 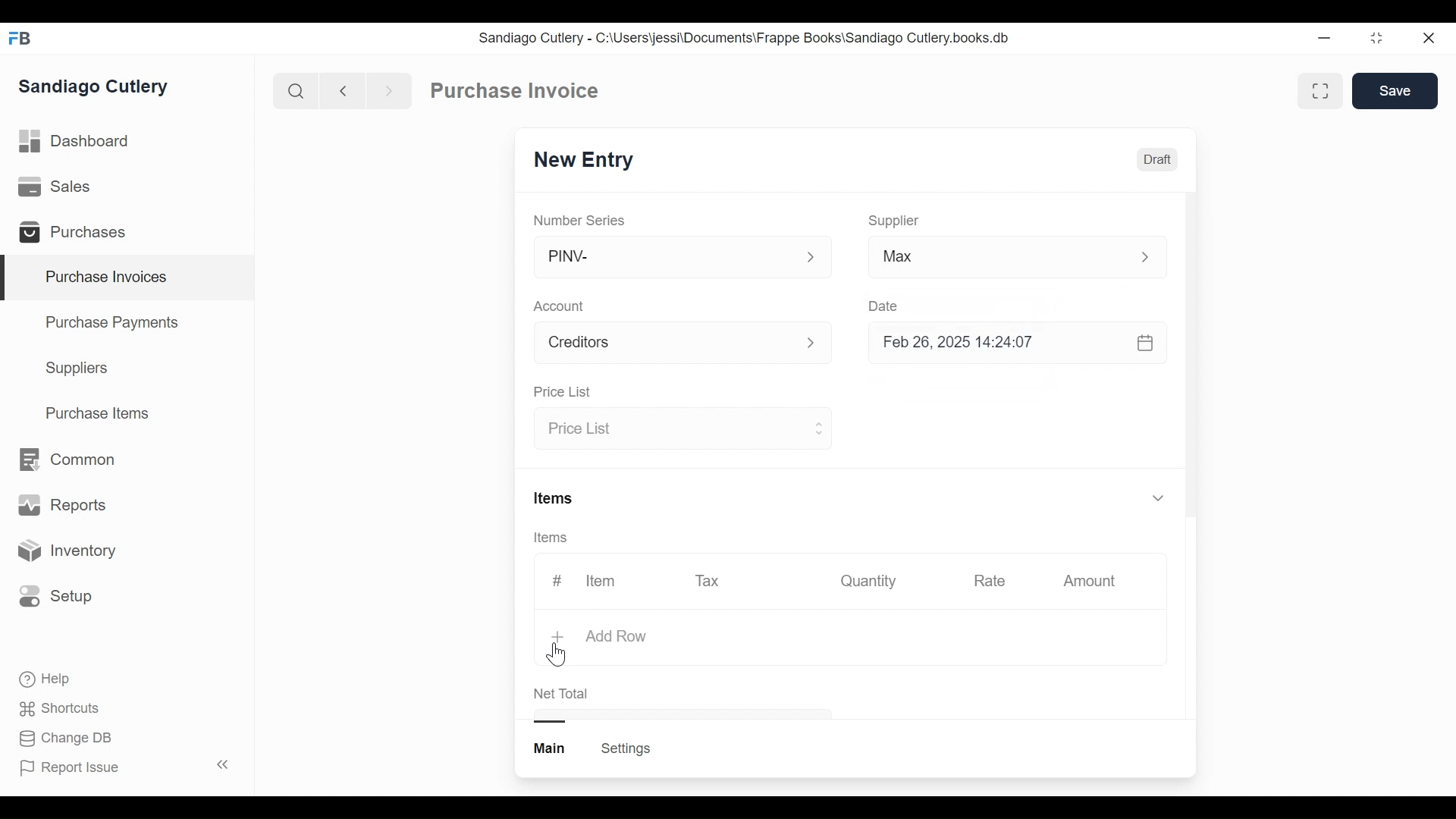 I want to click on Suppliers, so click(x=77, y=369).